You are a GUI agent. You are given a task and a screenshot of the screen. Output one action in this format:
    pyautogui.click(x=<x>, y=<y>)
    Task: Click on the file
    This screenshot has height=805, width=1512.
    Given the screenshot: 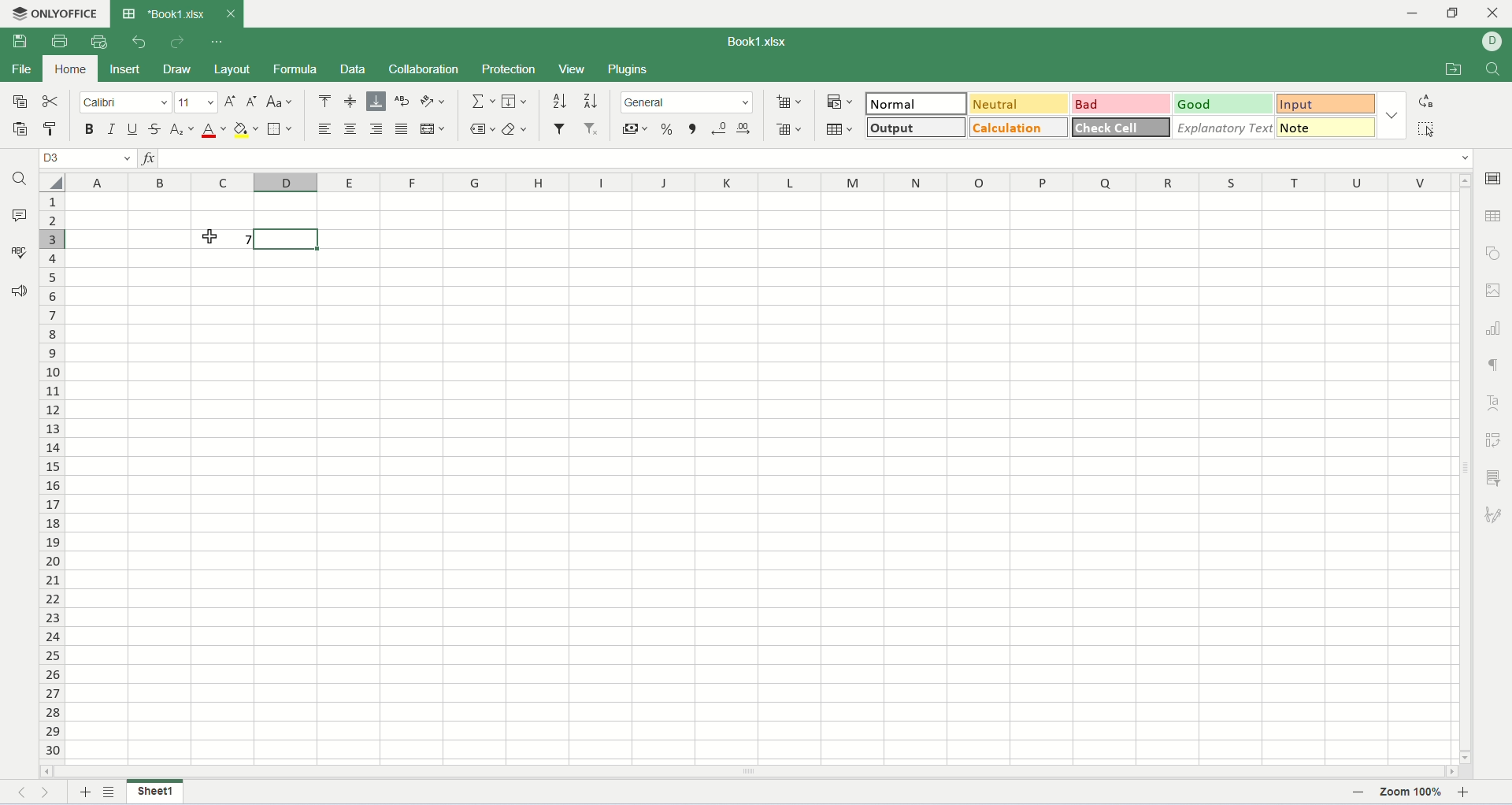 What is the action you would take?
    pyautogui.click(x=20, y=69)
    